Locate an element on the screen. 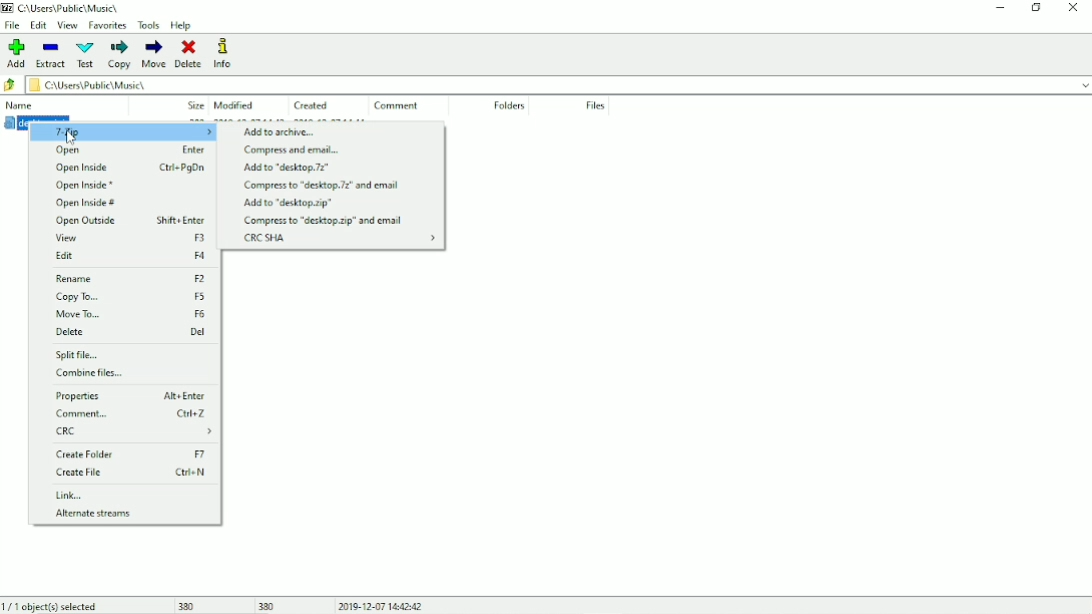  Info is located at coordinates (223, 53).